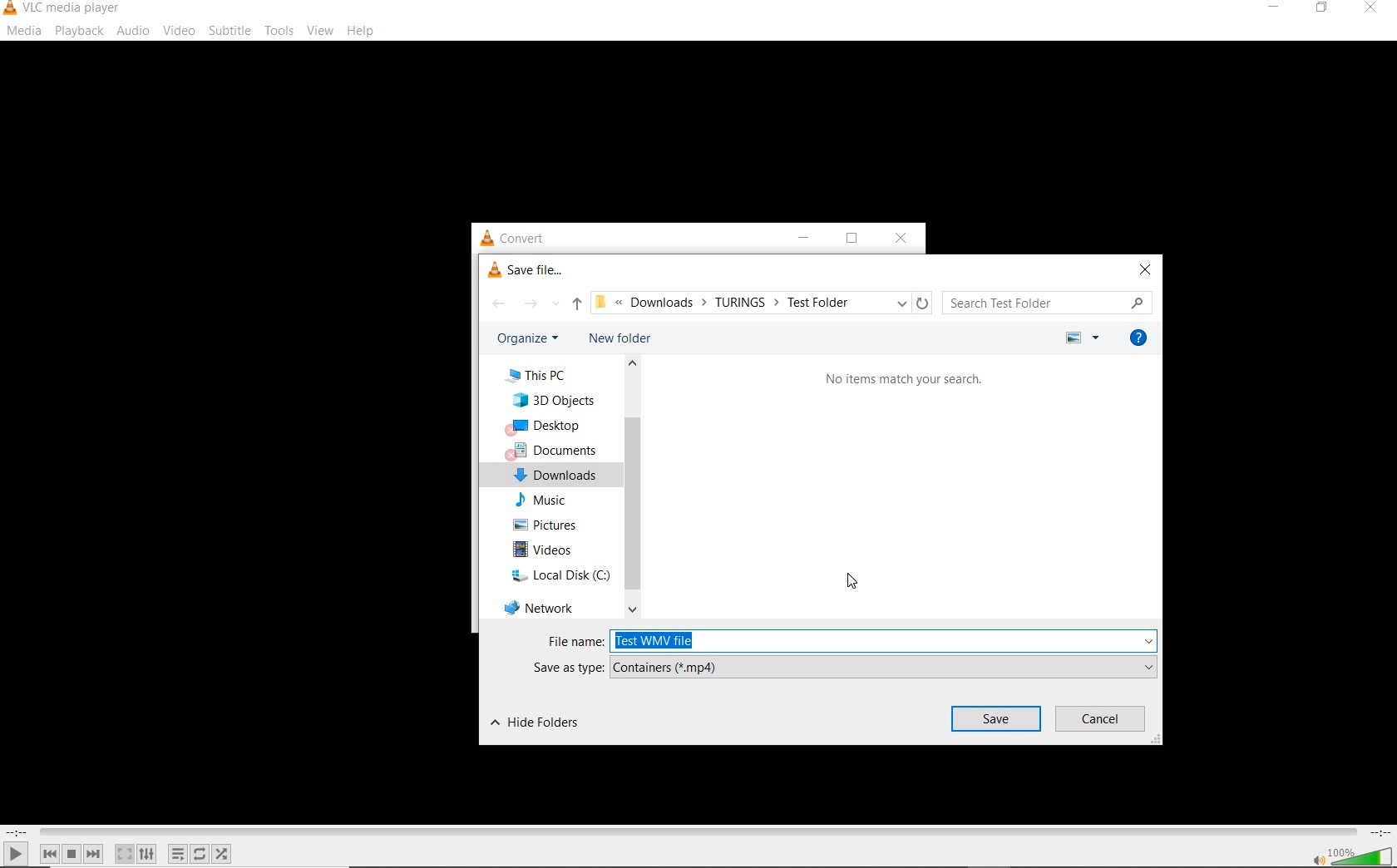  I want to click on cursor, so click(853, 581).